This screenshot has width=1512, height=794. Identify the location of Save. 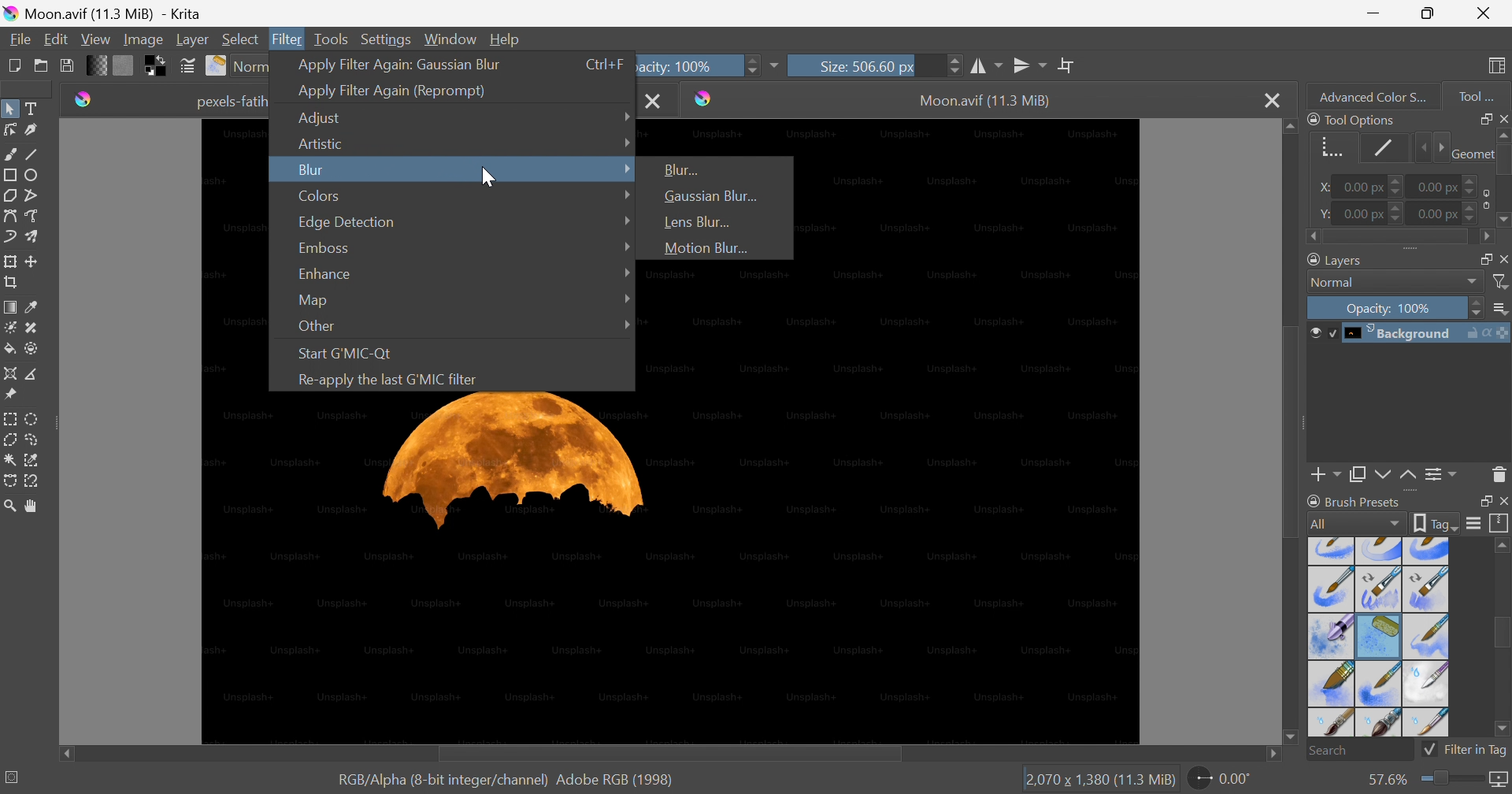
(66, 64).